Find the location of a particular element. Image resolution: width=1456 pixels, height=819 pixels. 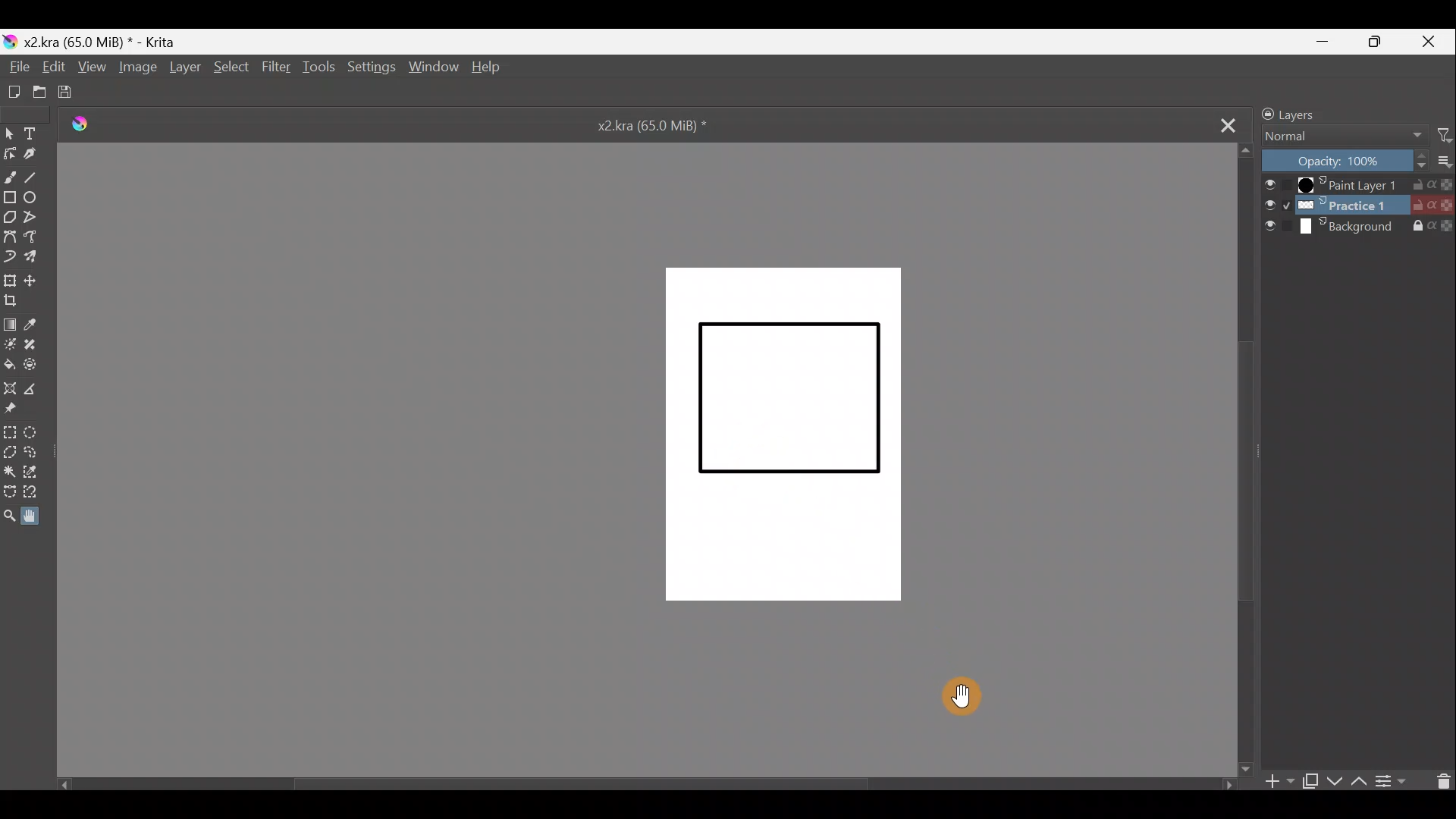

Paint Layer 1 is located at coordinates (1357, 187).